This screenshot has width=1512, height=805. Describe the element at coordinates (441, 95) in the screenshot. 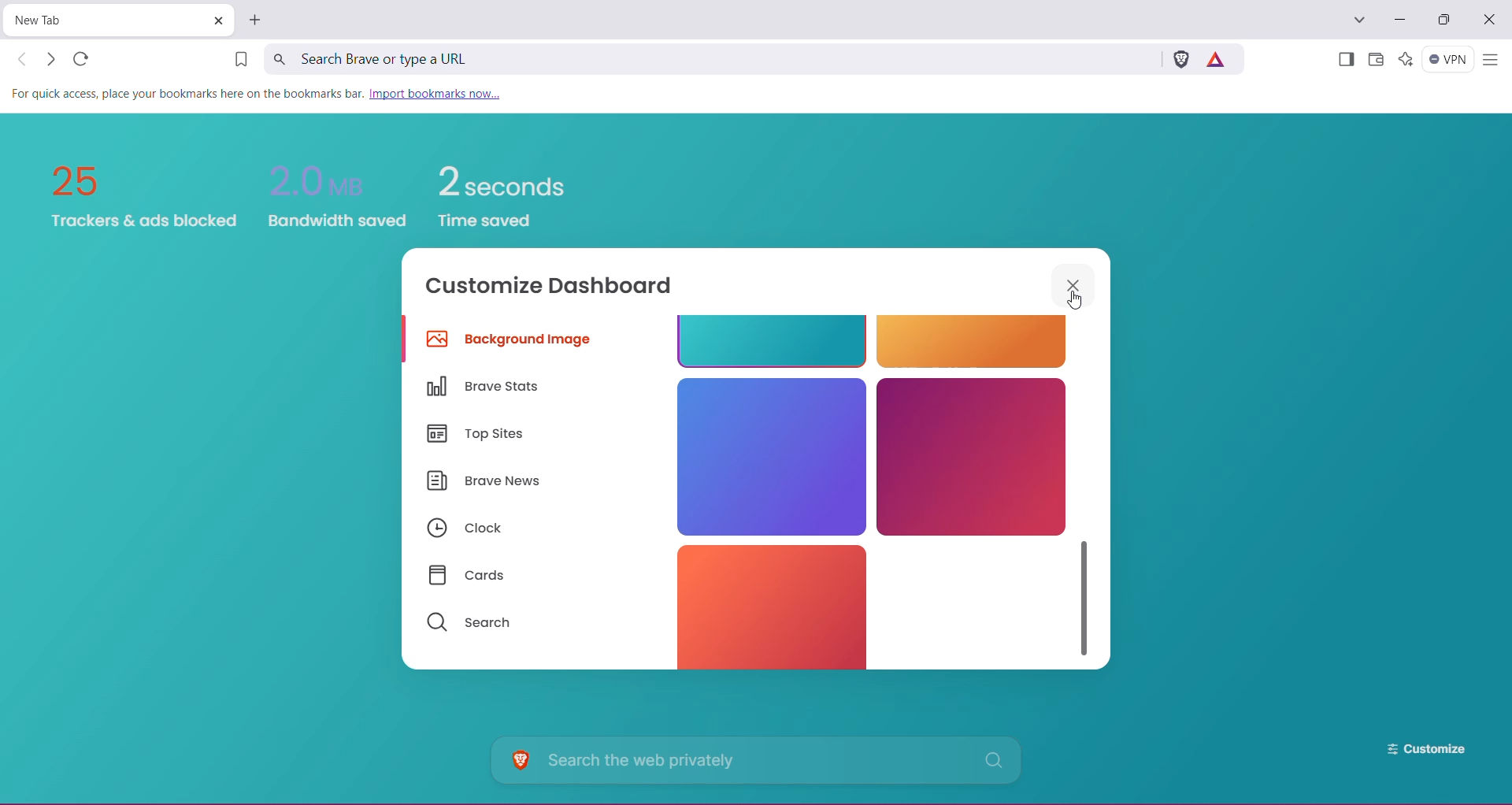

I see `Import Bookmark now` at that location.